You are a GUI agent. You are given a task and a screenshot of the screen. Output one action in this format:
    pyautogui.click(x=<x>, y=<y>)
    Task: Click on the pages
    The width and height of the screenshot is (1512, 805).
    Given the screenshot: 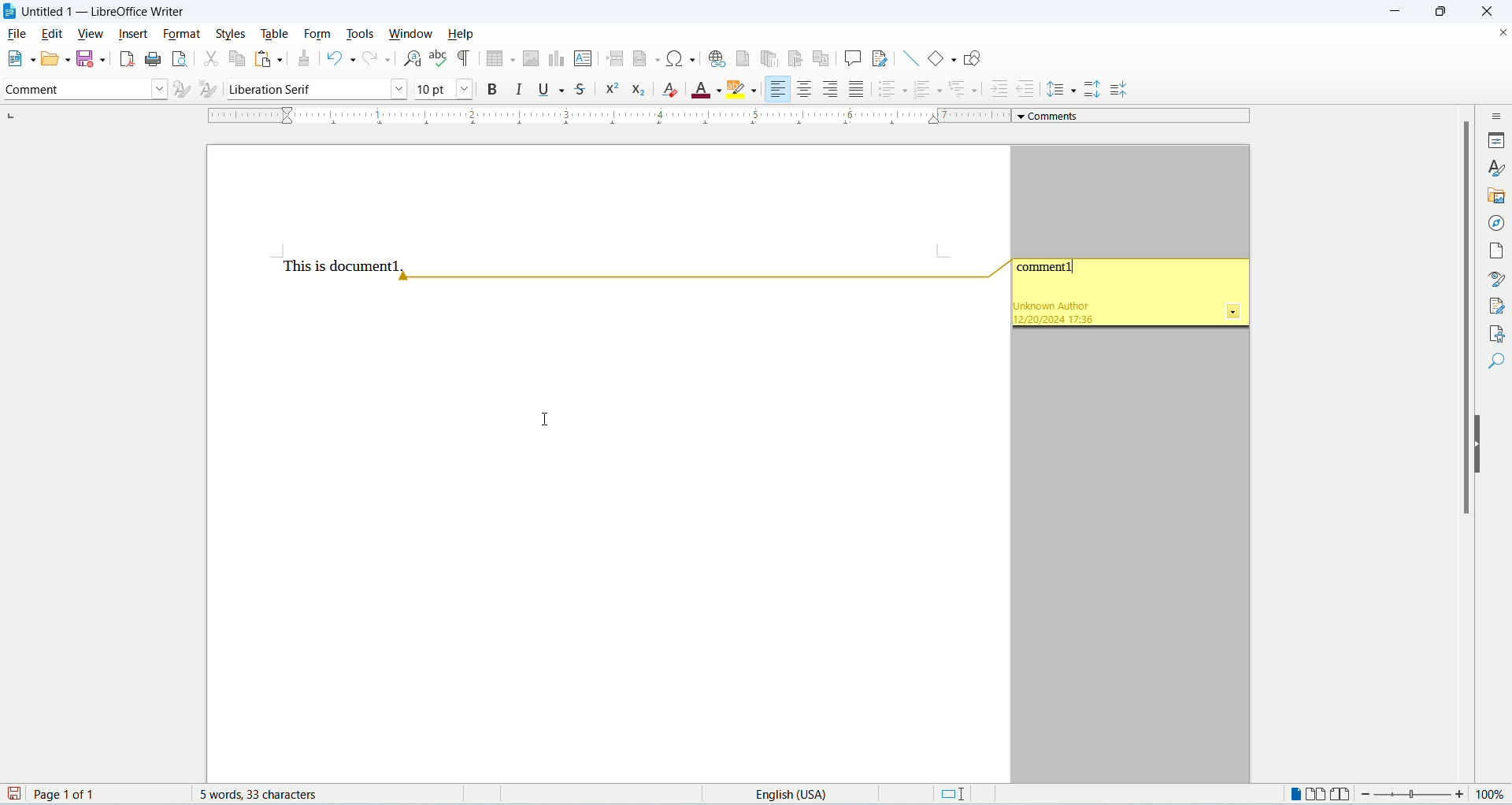 What is the action you would take?
    pyautogui.click(x=1495, y=250)
    